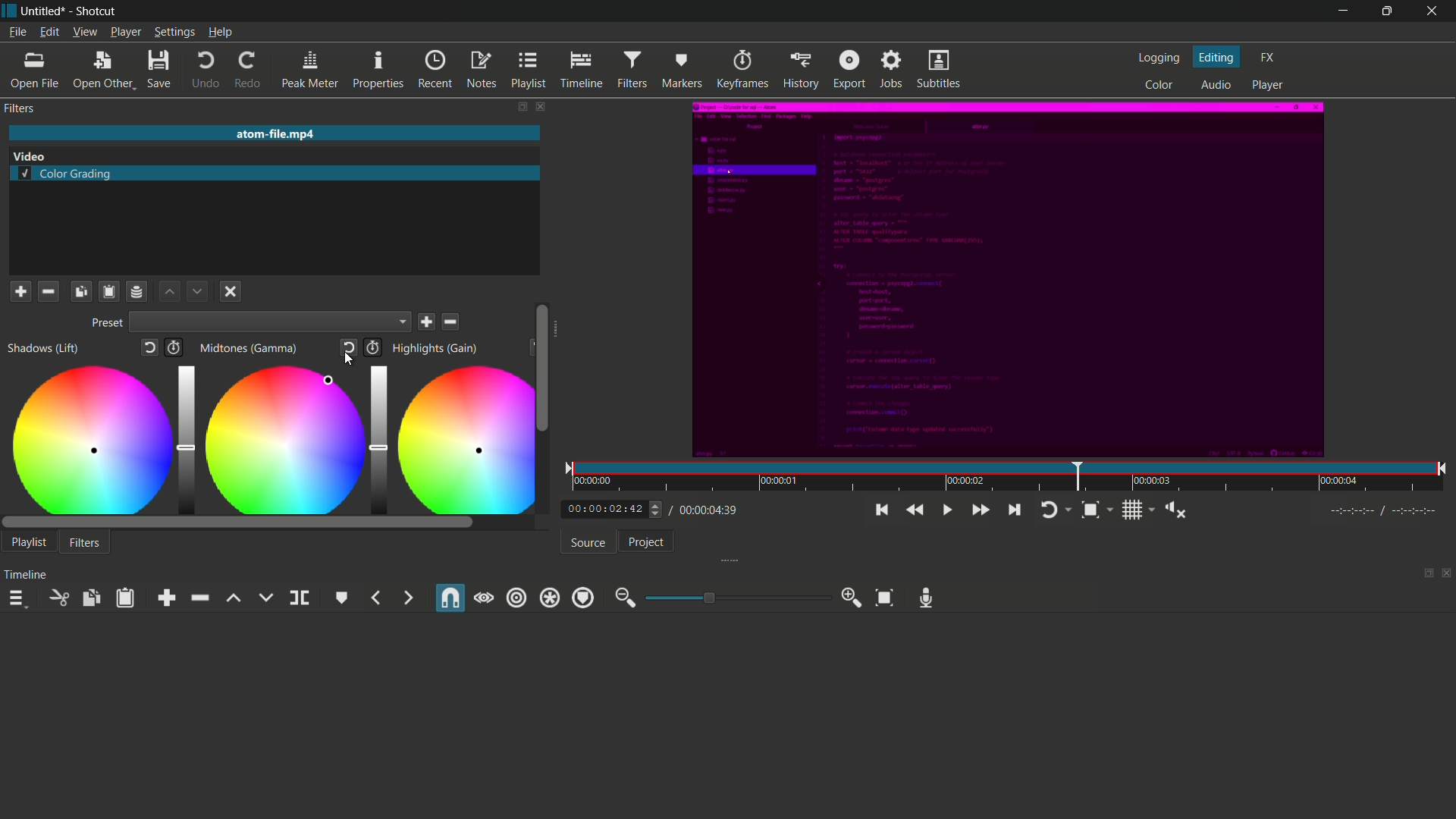 Image resolution: width=1456 pixels, height=819 pixels. Describe the element at coordinates (1218, 57) in the screenshot. I see `editing` at that location.